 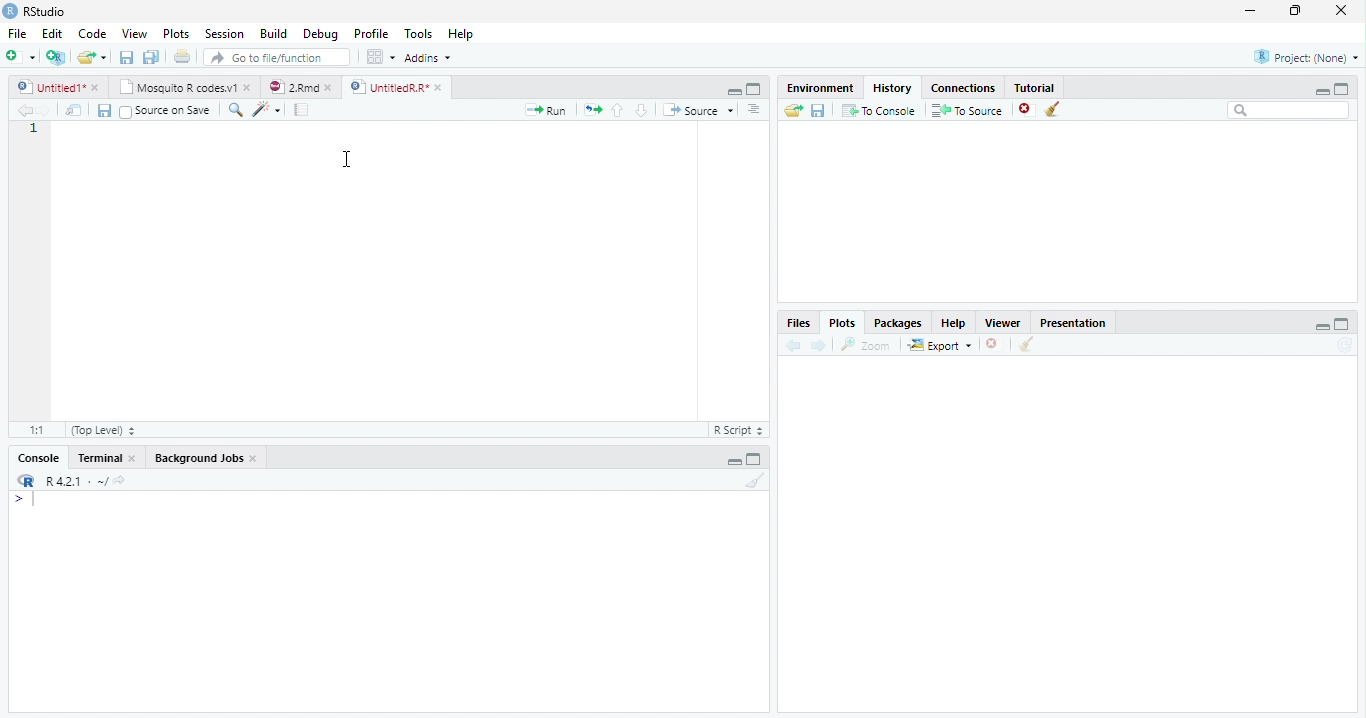 I want to click on Find/Replace, so click(x=233, y=110).